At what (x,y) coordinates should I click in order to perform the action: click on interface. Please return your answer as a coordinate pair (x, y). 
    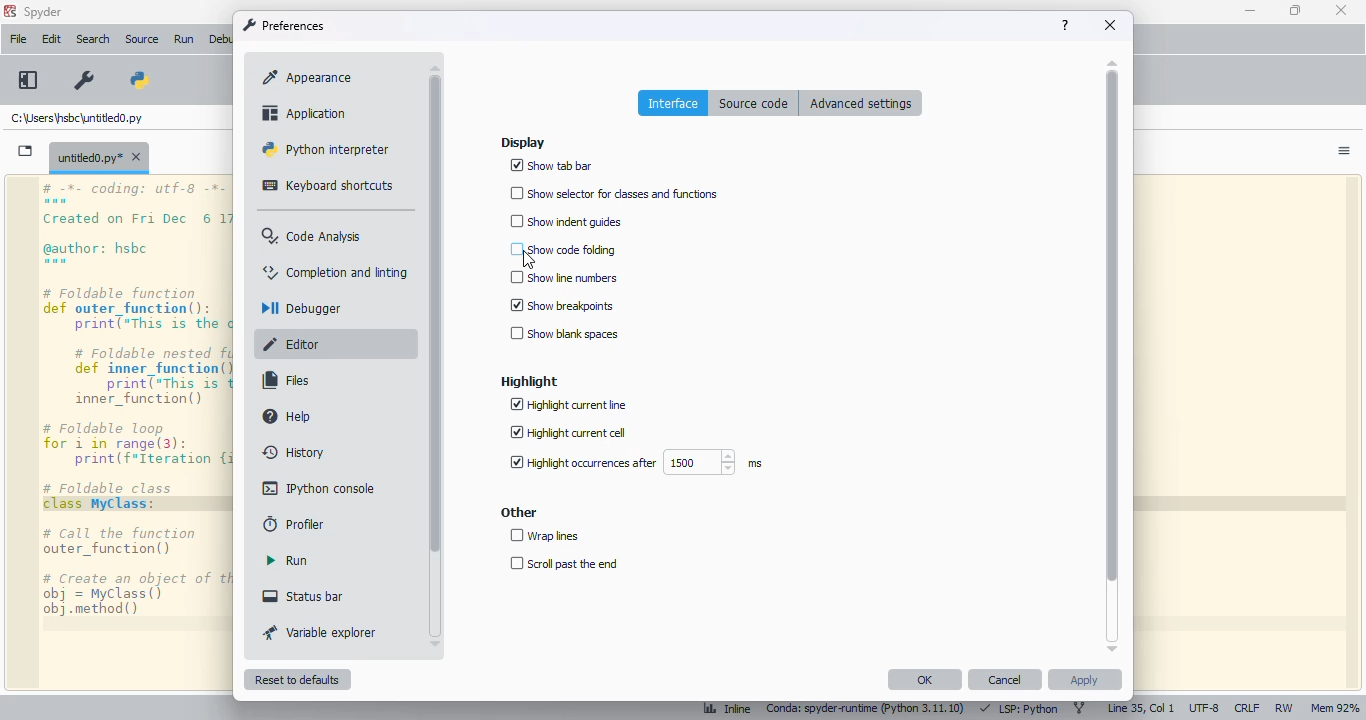
    Looking at the image, I should click on (672, 102).